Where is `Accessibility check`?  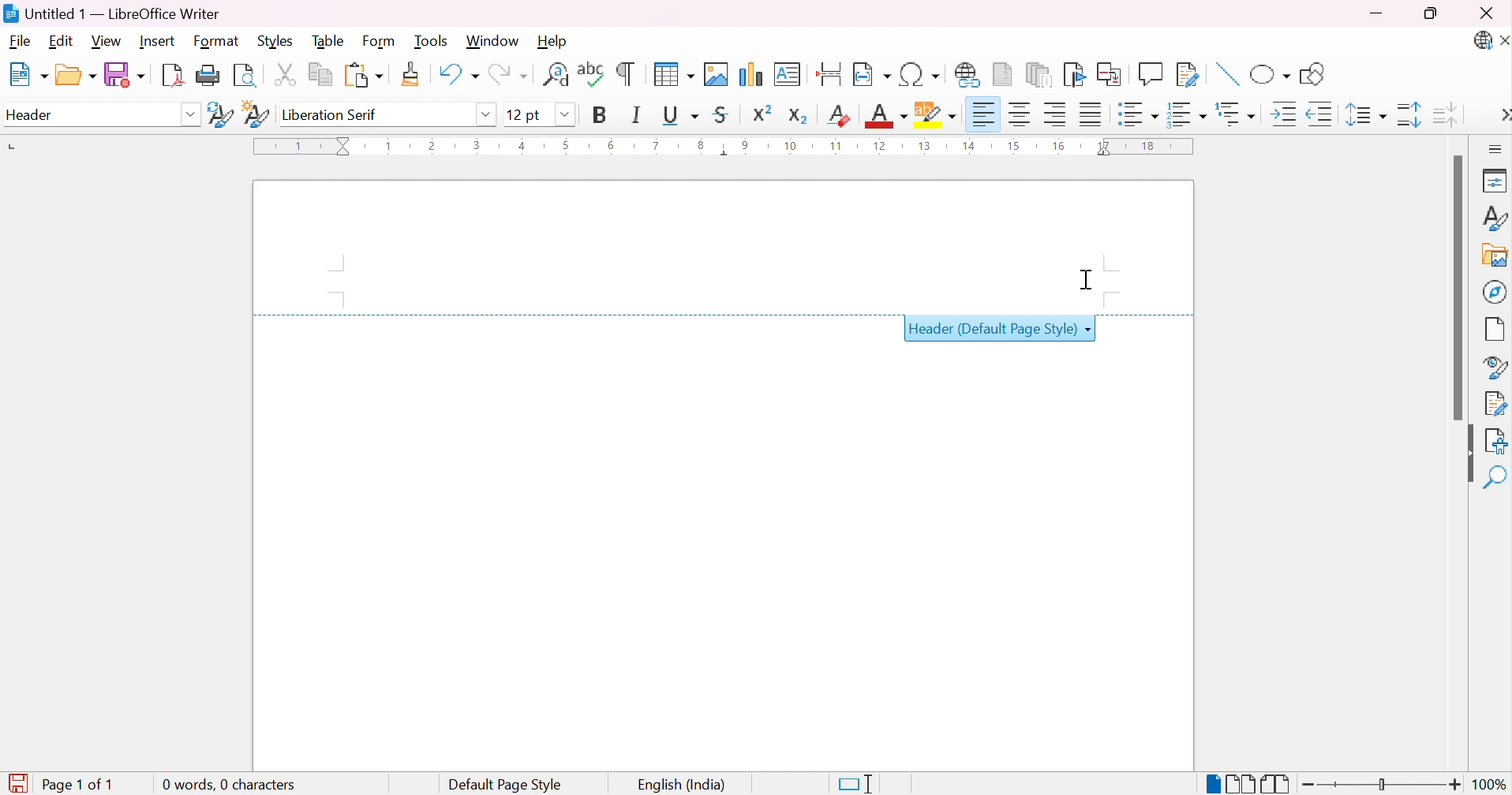
Accessibility check is located at coordinates (1497, 439).